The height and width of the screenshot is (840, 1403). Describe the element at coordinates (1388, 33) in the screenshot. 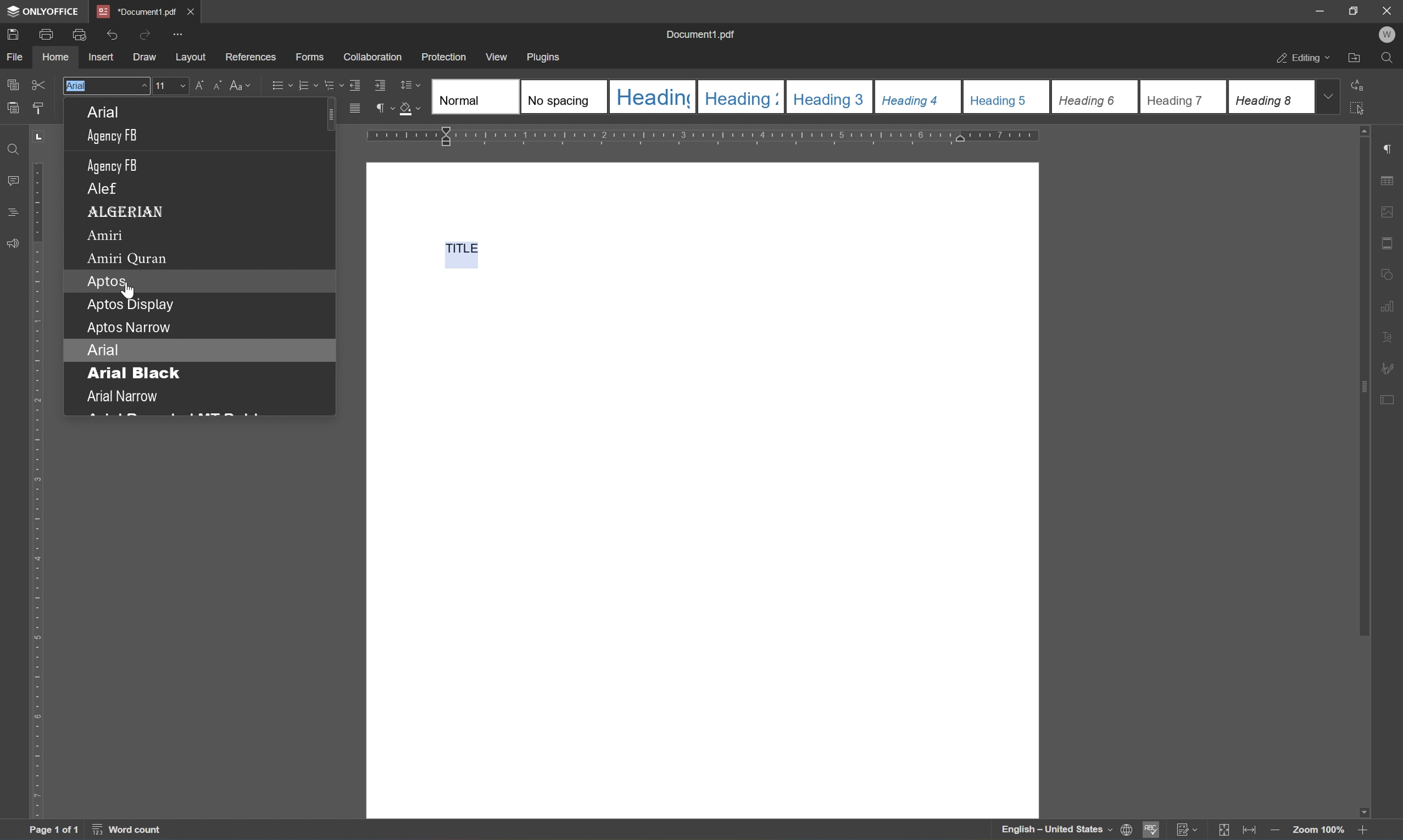

I see `w` at that location.